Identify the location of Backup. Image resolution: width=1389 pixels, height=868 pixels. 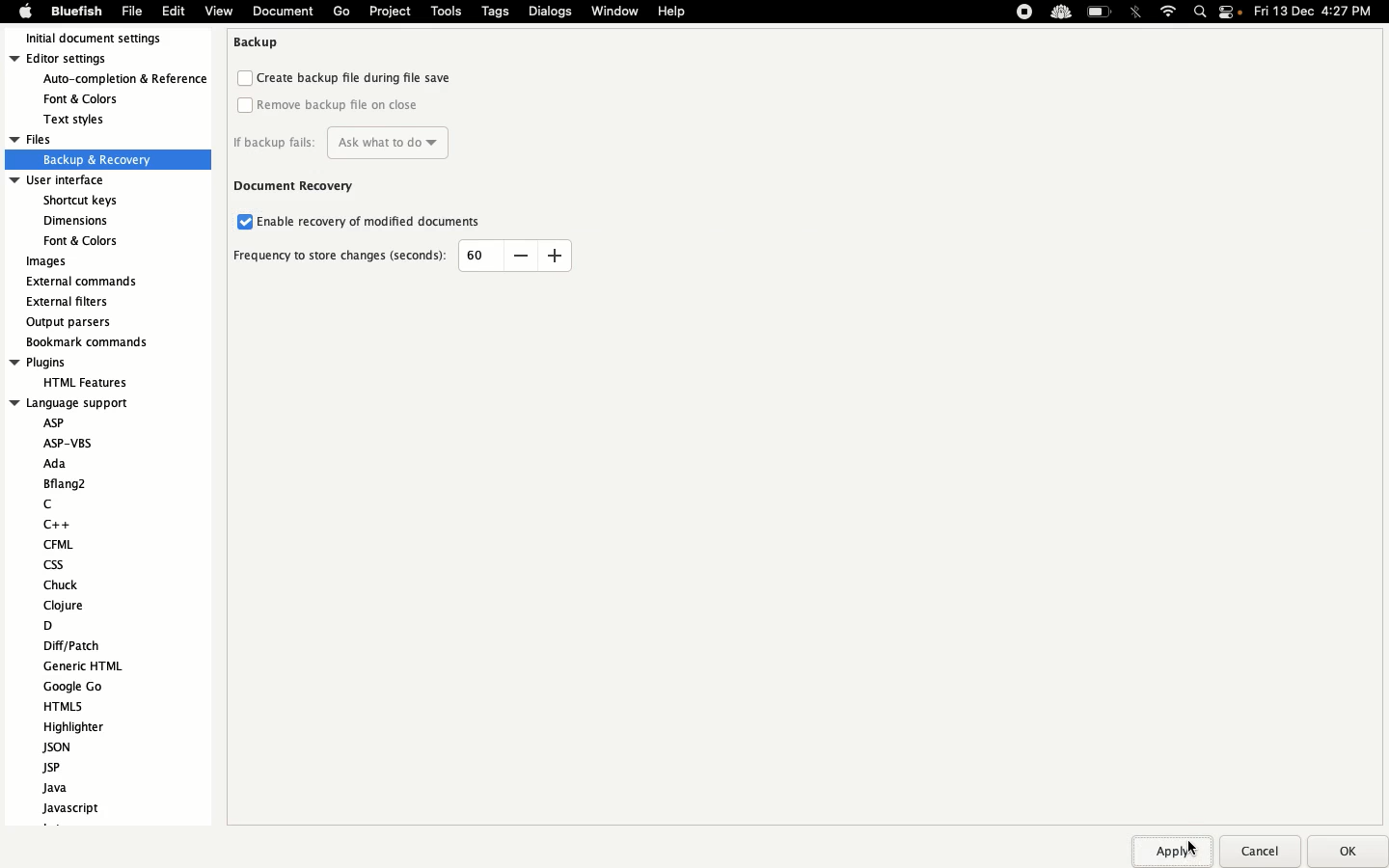
(260, 45).